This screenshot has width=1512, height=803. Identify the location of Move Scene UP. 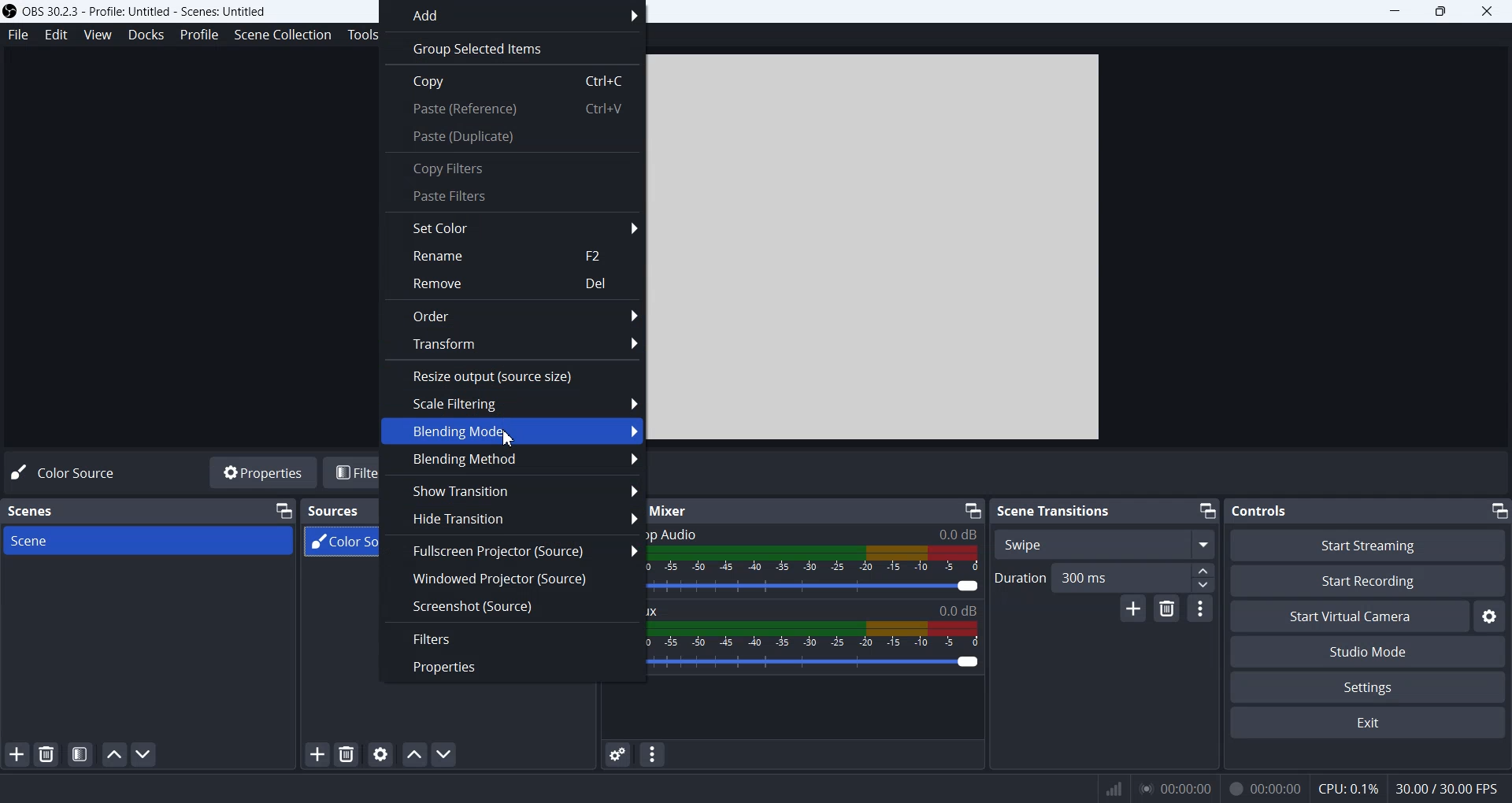
(114, 754).